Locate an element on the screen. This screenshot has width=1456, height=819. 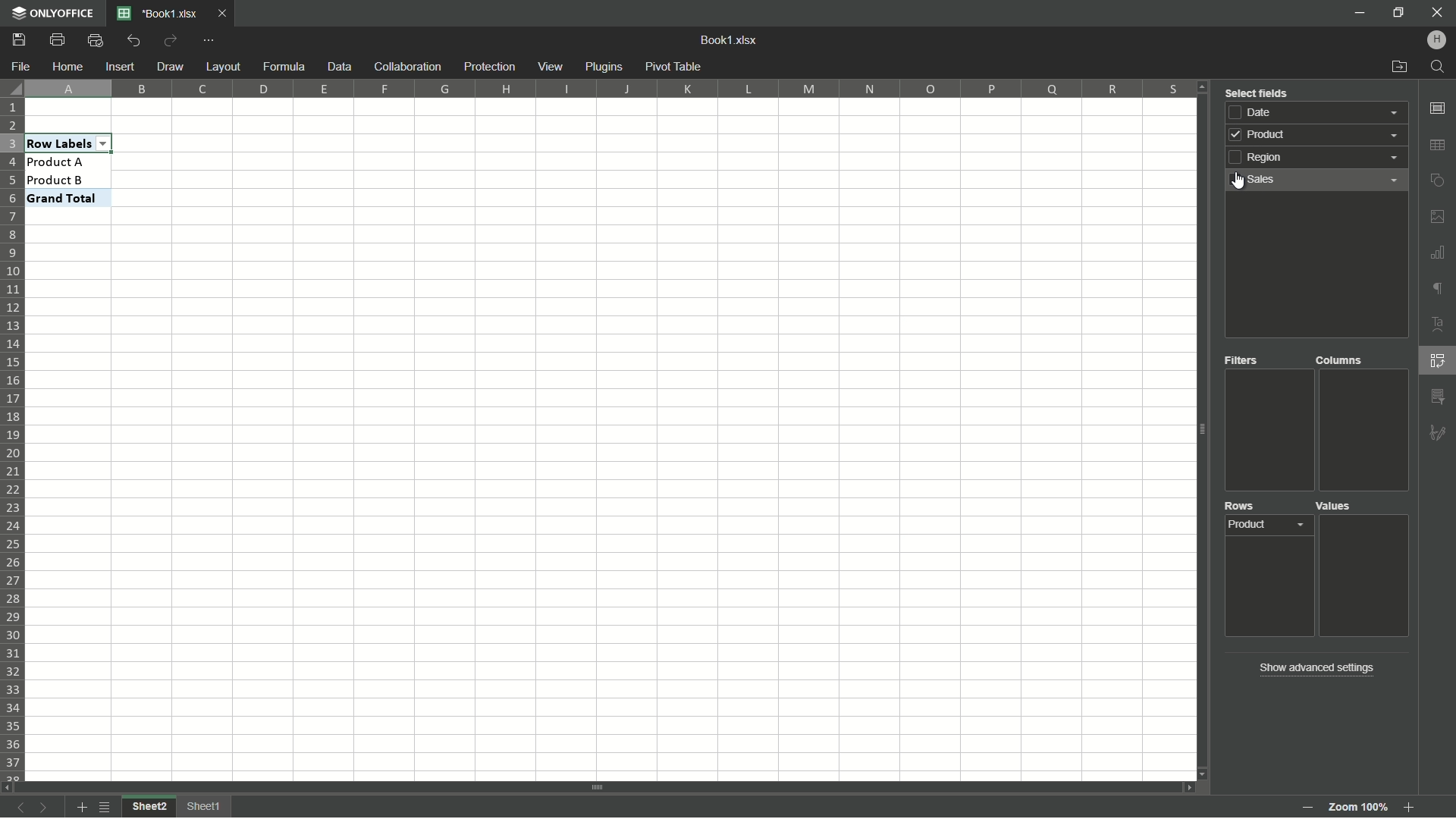
Region is located at coordinates (1322, 159).